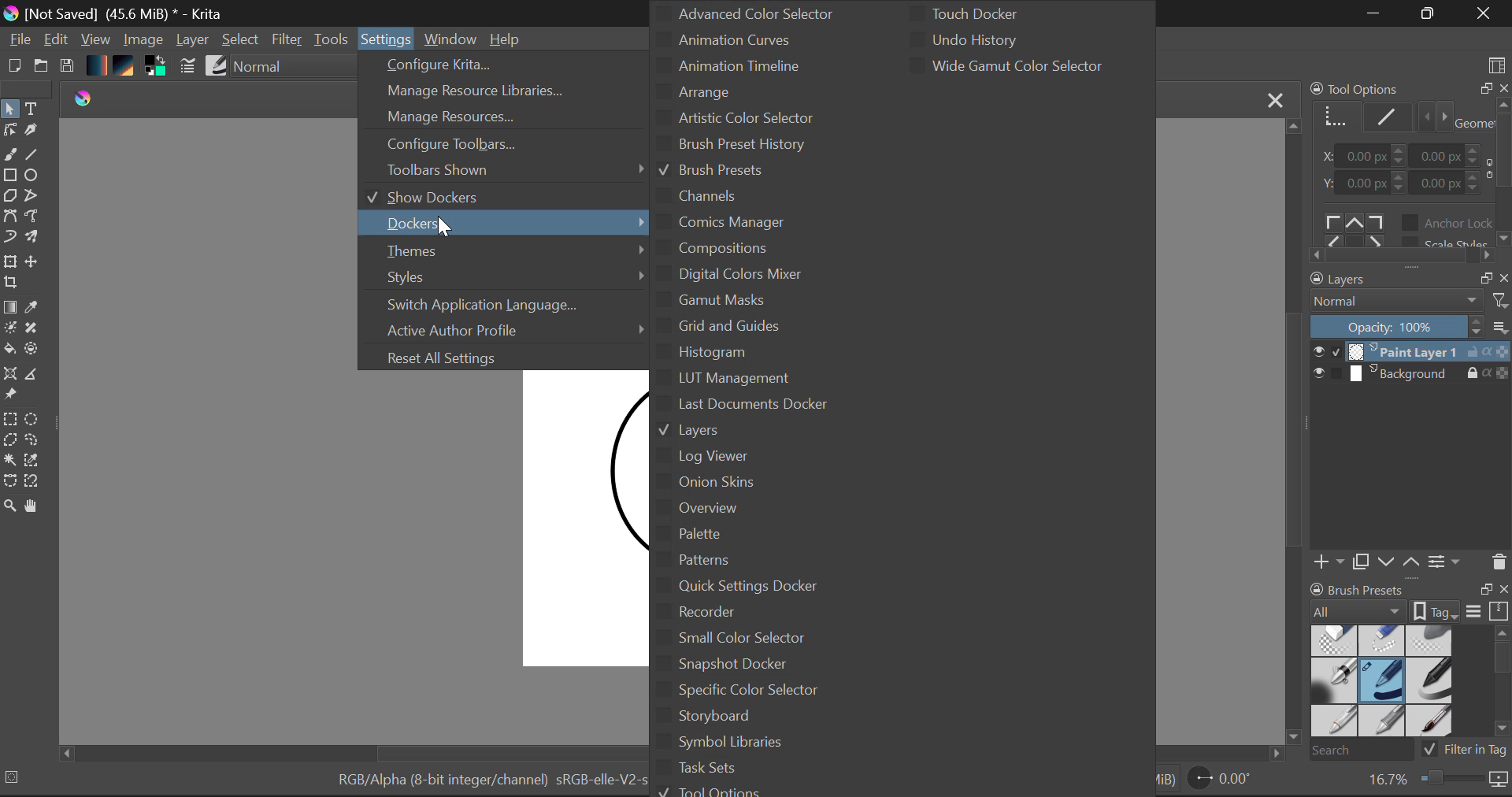 Image resolution: width=1512 pixels, height=797 pixels. What do you see at coordinates (9, 155) in the screenshot?
I see `Freehand` at bounding box center [9, 155].